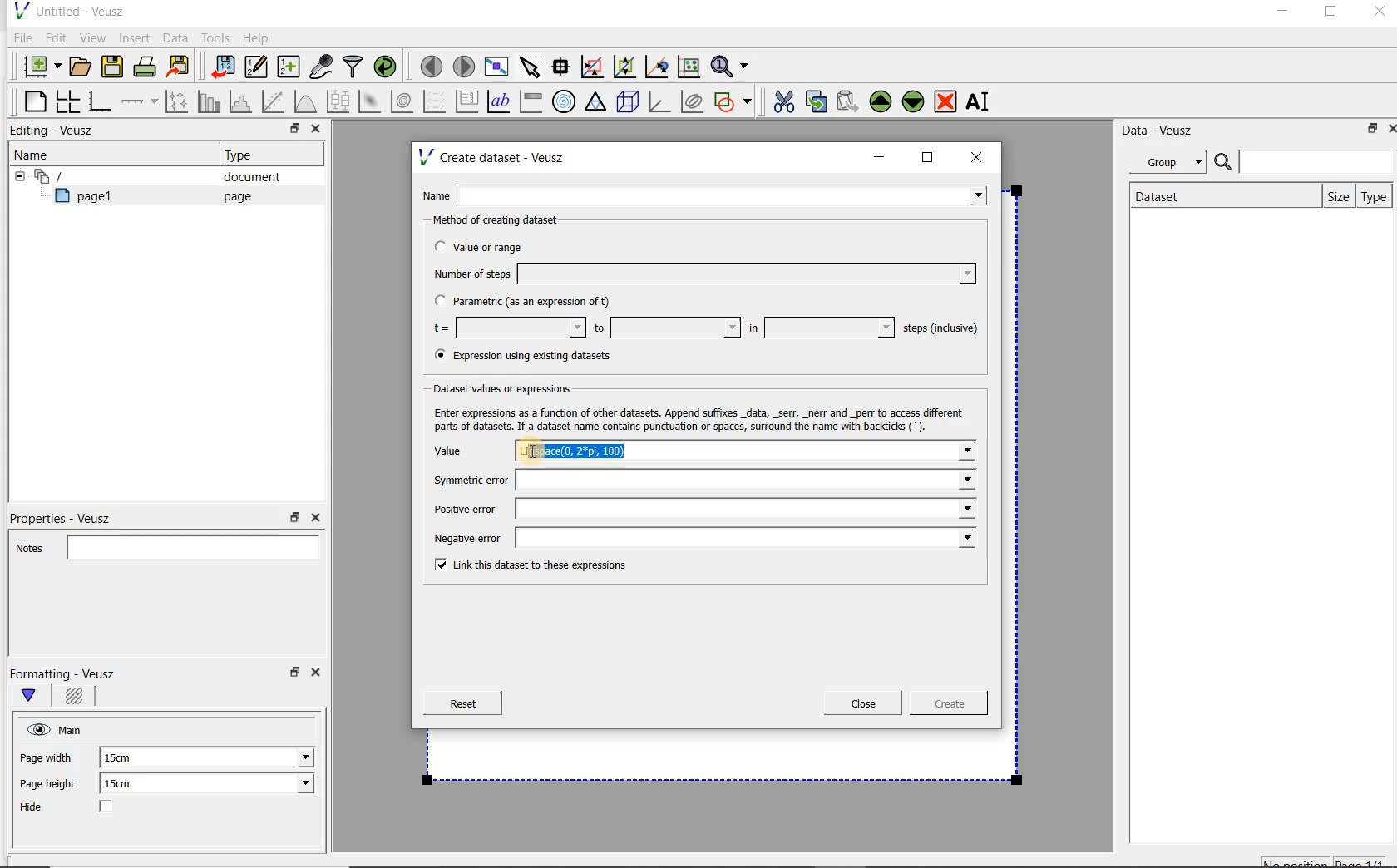  I want to click on Tools, so click(214, 38).